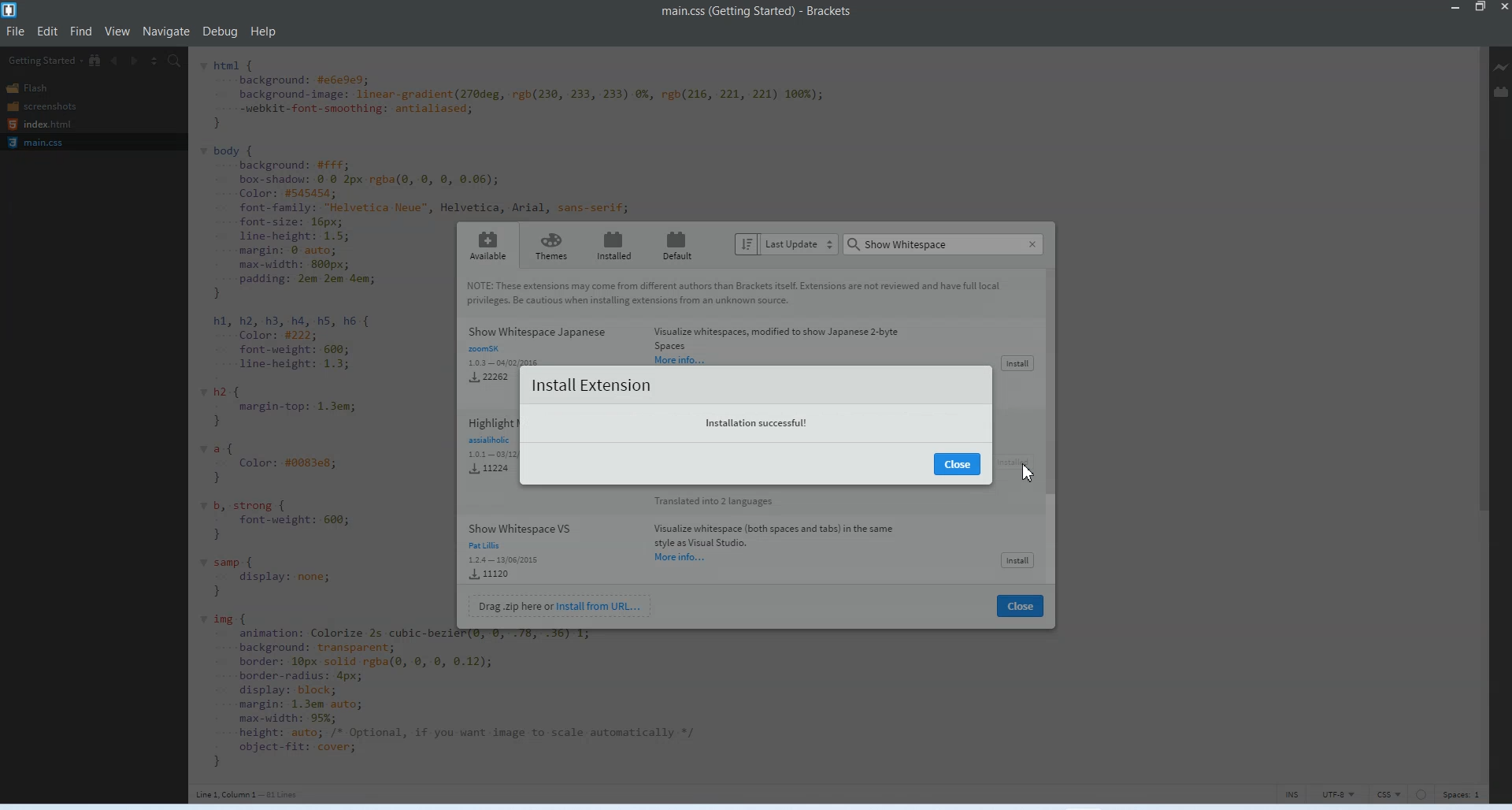  I want to click on Install, so click(1018, 461).